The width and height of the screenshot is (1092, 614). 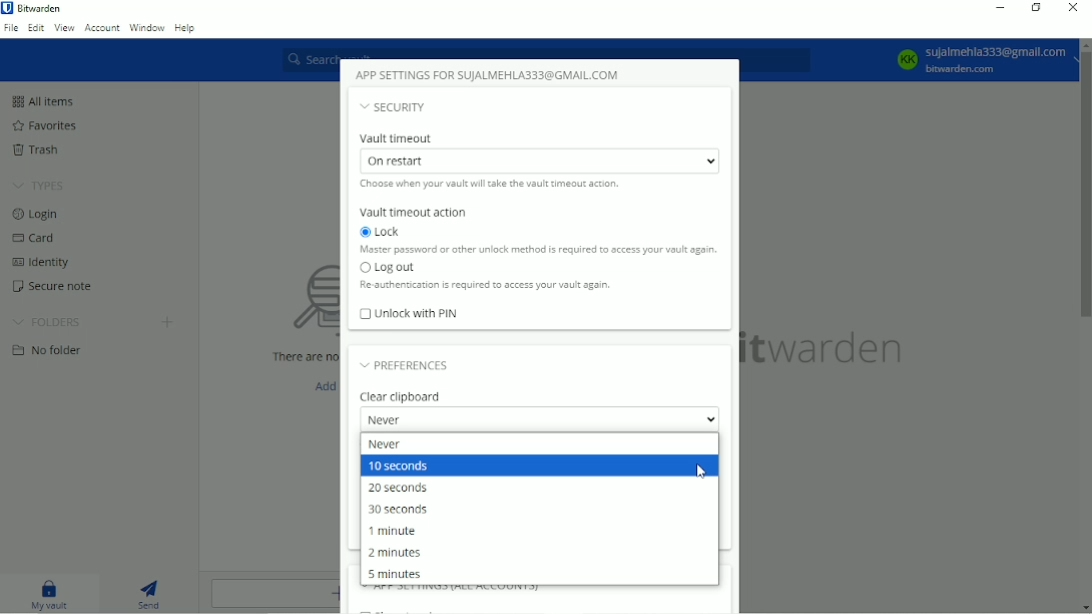 I want to click on Card, so click(x=40, y=238).